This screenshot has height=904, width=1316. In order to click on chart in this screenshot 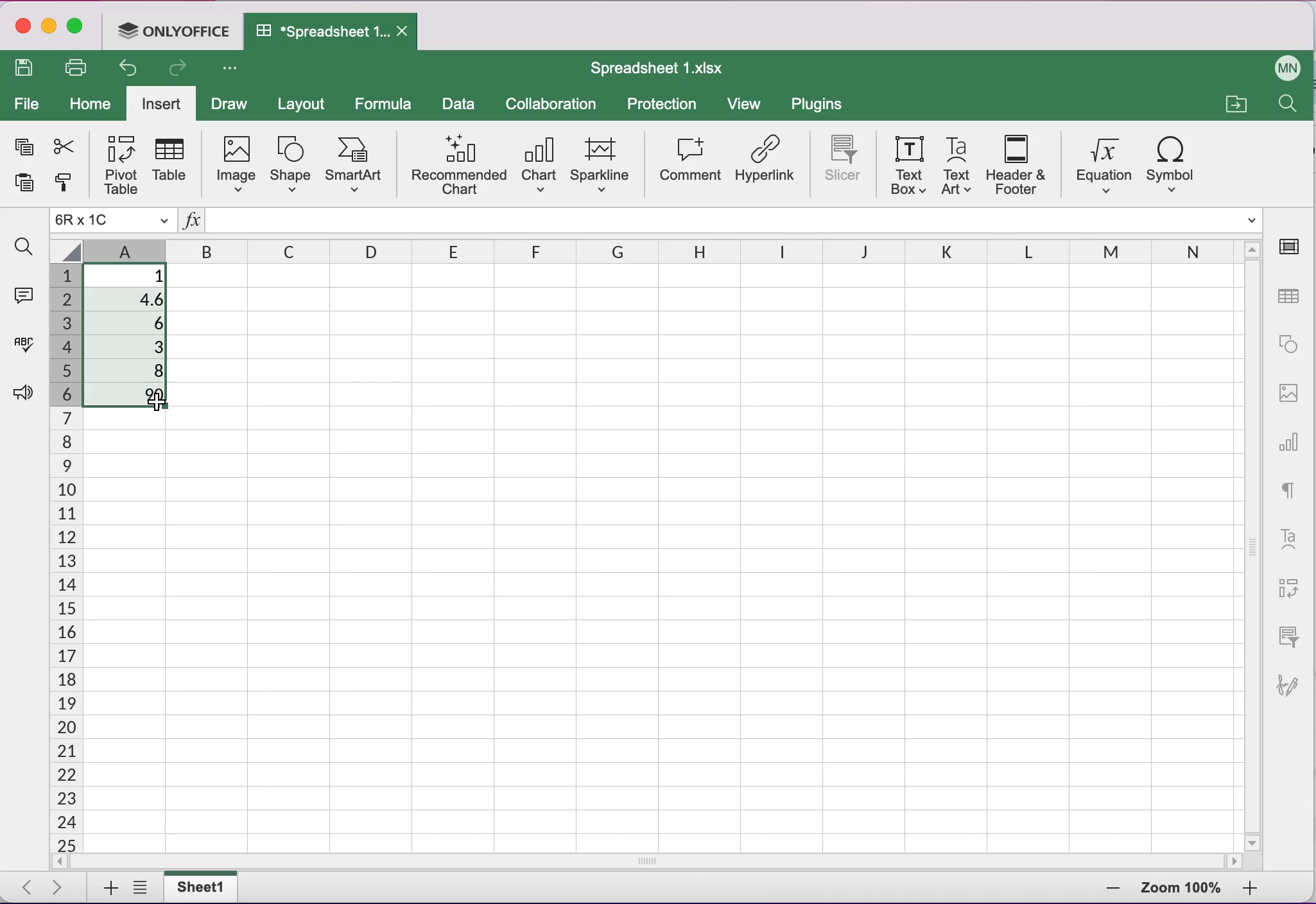, I will do `click(1290, 447)`.